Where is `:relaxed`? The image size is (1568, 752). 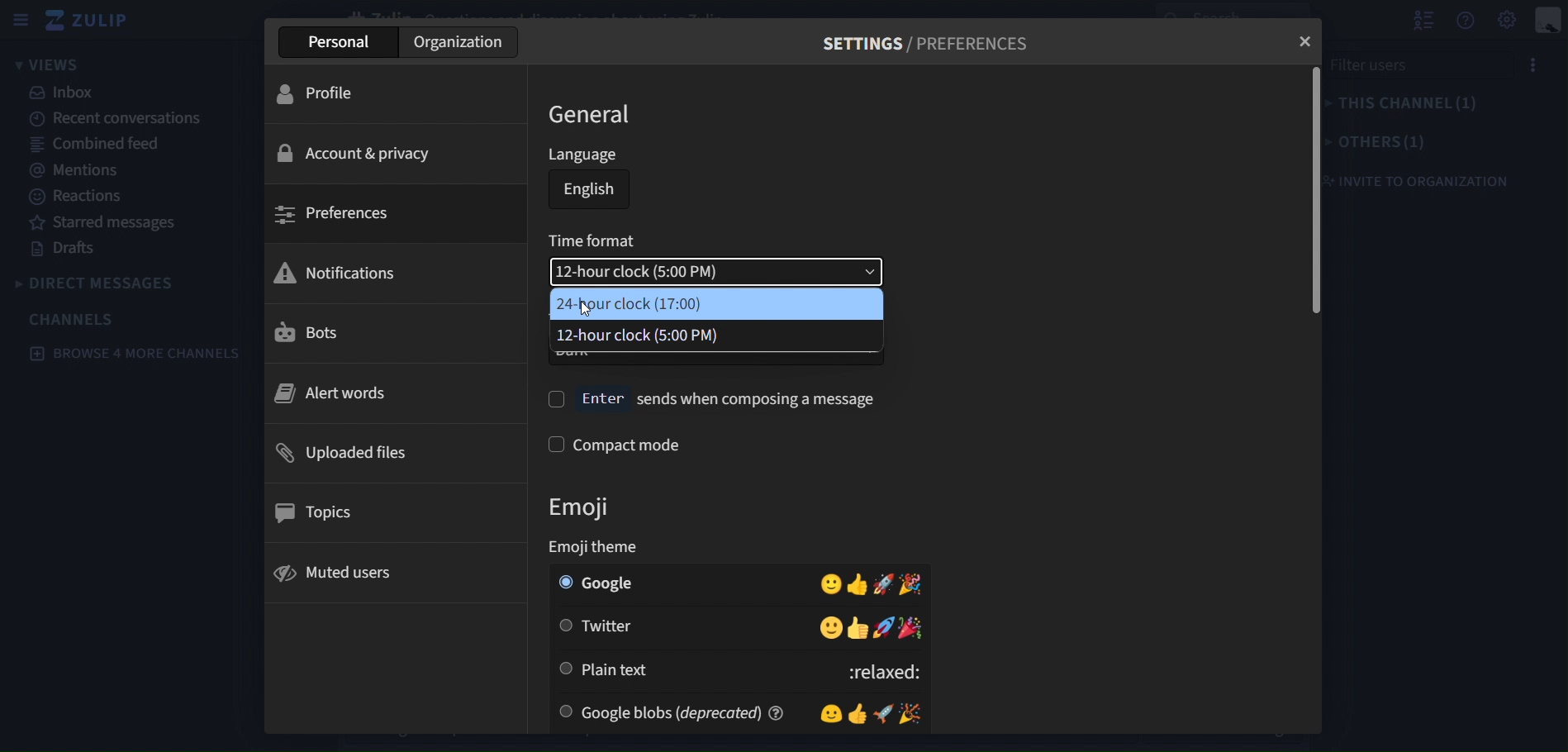
:relaxed is located at coordinates (840, 672).